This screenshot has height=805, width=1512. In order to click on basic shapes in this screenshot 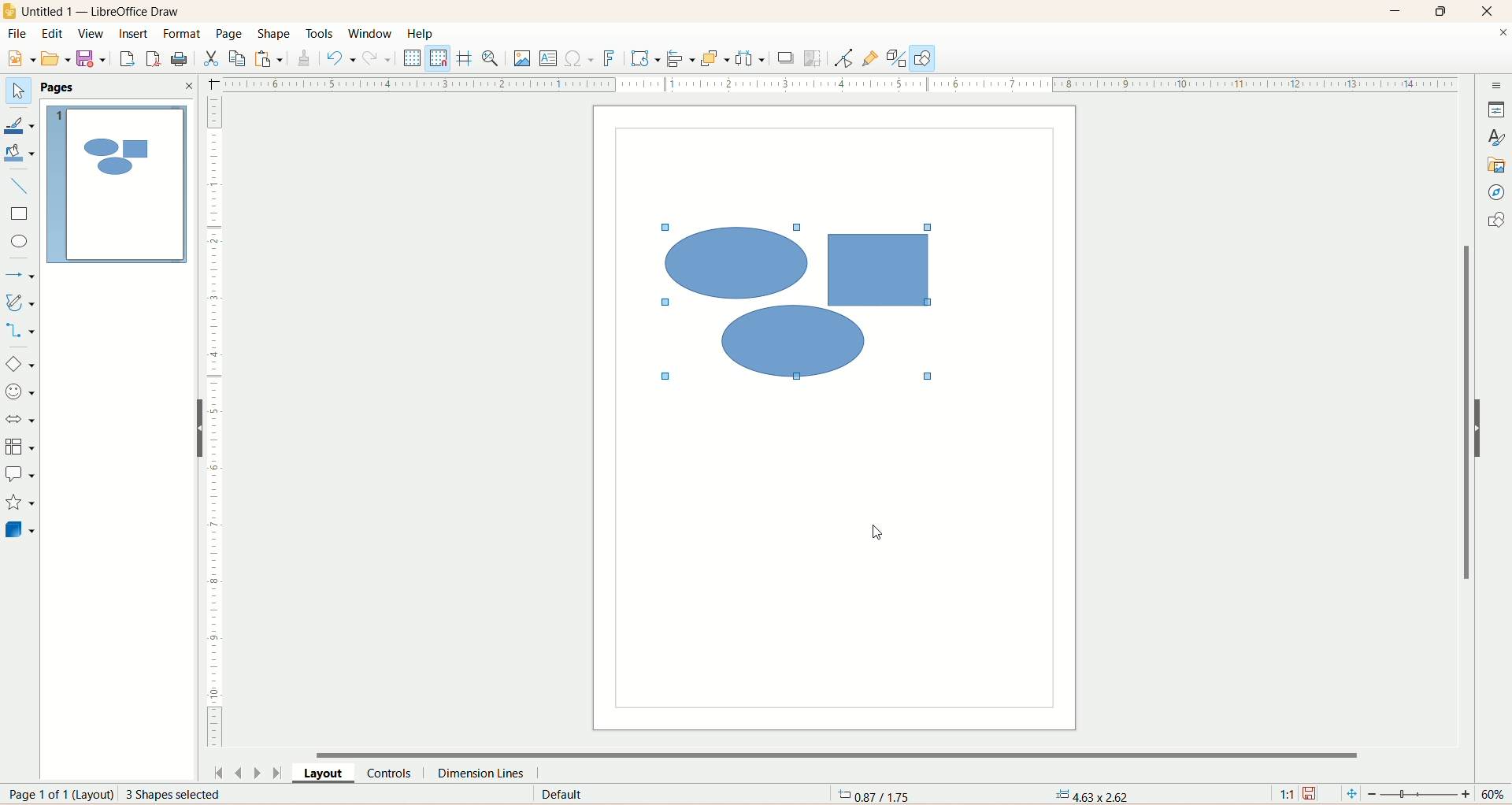, I will do `click(20, 365)`.